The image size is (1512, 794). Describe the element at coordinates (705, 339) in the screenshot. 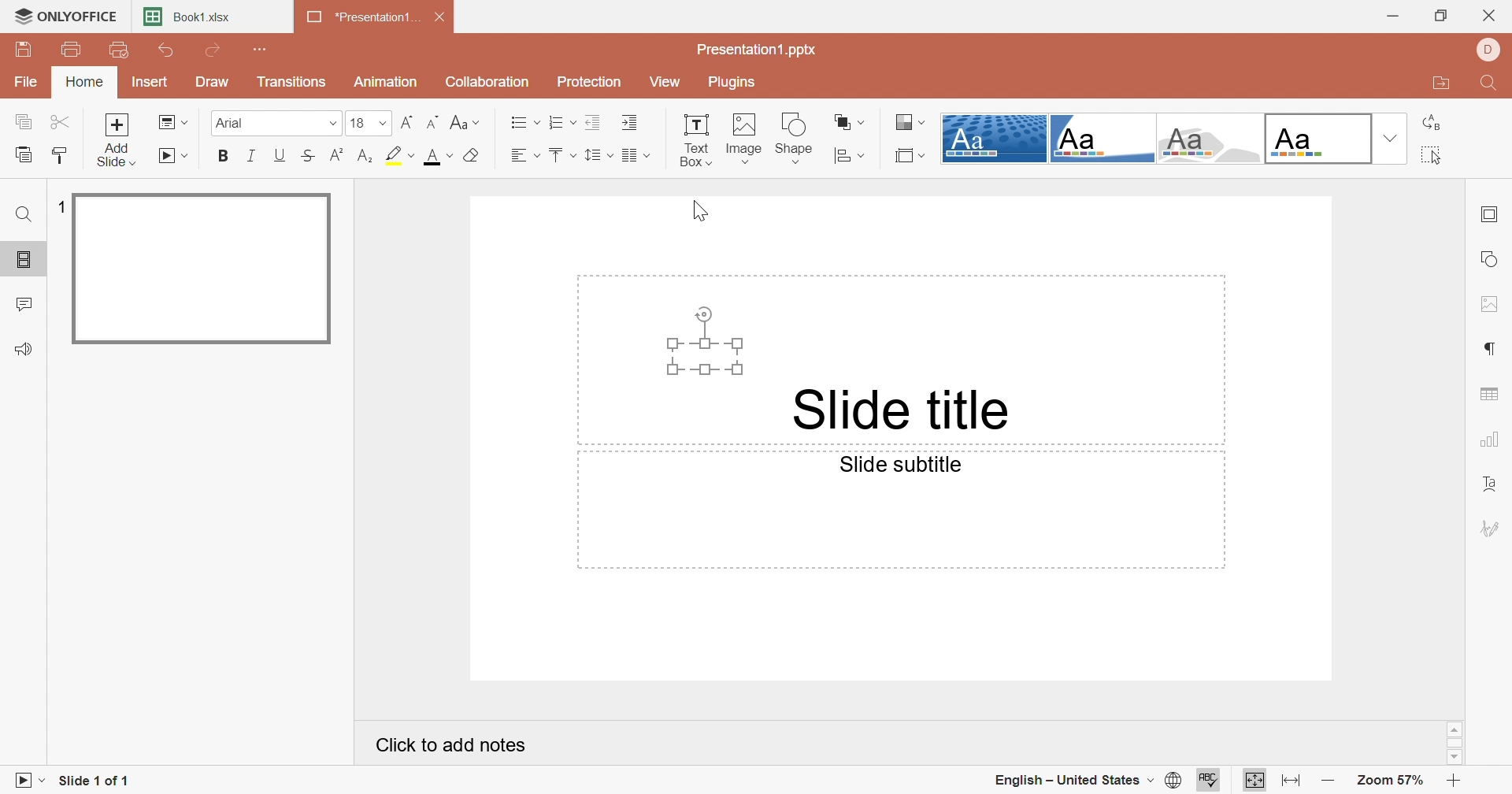

I see `Text Box` at that location.